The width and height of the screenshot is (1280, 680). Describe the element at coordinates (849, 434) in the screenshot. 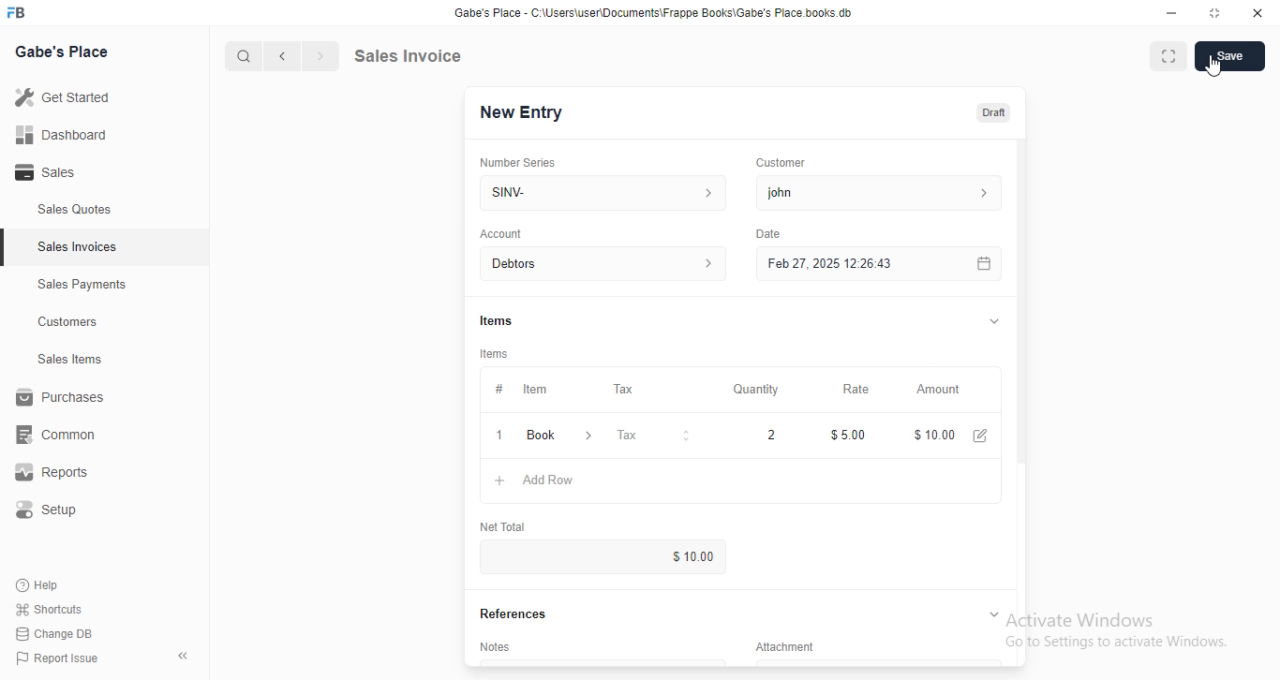

I see `$5.00` at that location.